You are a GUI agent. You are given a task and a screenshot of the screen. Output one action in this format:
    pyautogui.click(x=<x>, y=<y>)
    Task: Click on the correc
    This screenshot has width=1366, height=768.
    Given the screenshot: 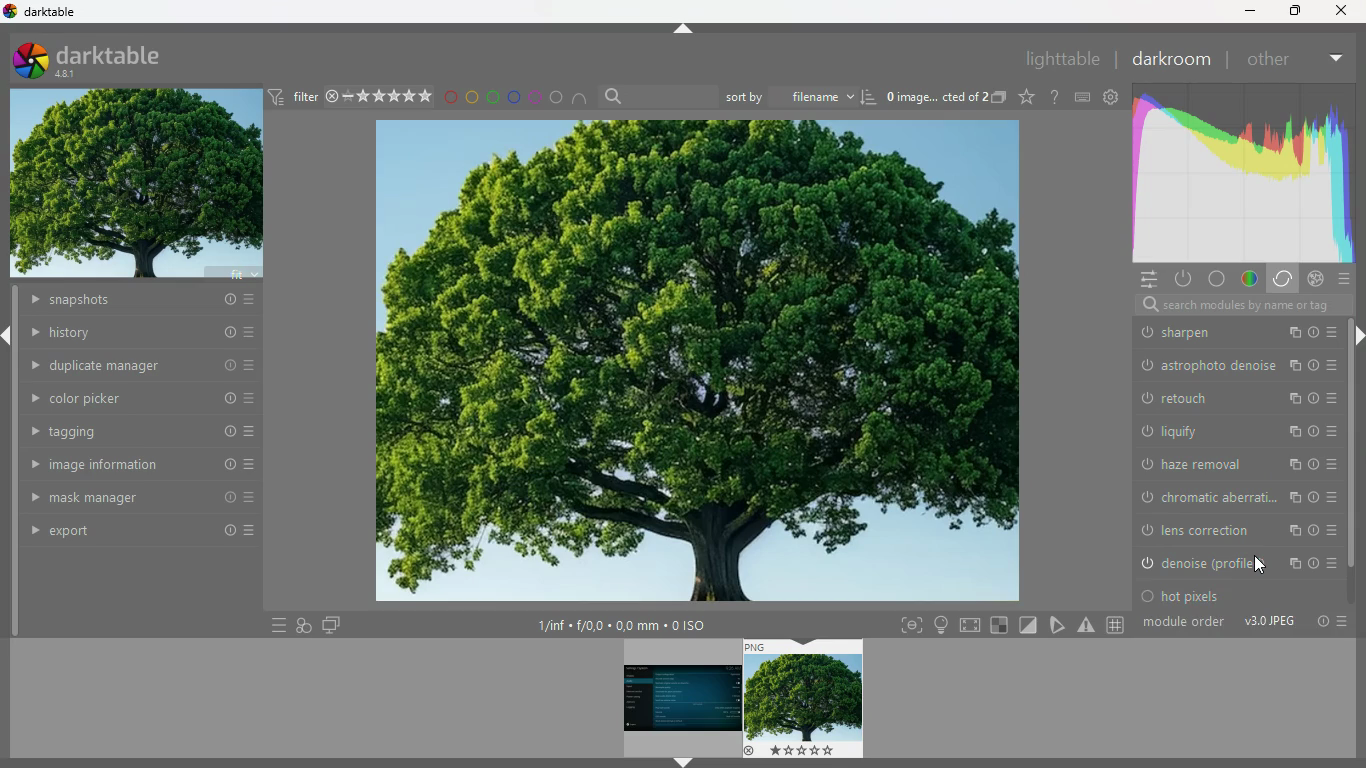 What is the action you would take?
    pyautogui.click(x=1285, y=279)
    